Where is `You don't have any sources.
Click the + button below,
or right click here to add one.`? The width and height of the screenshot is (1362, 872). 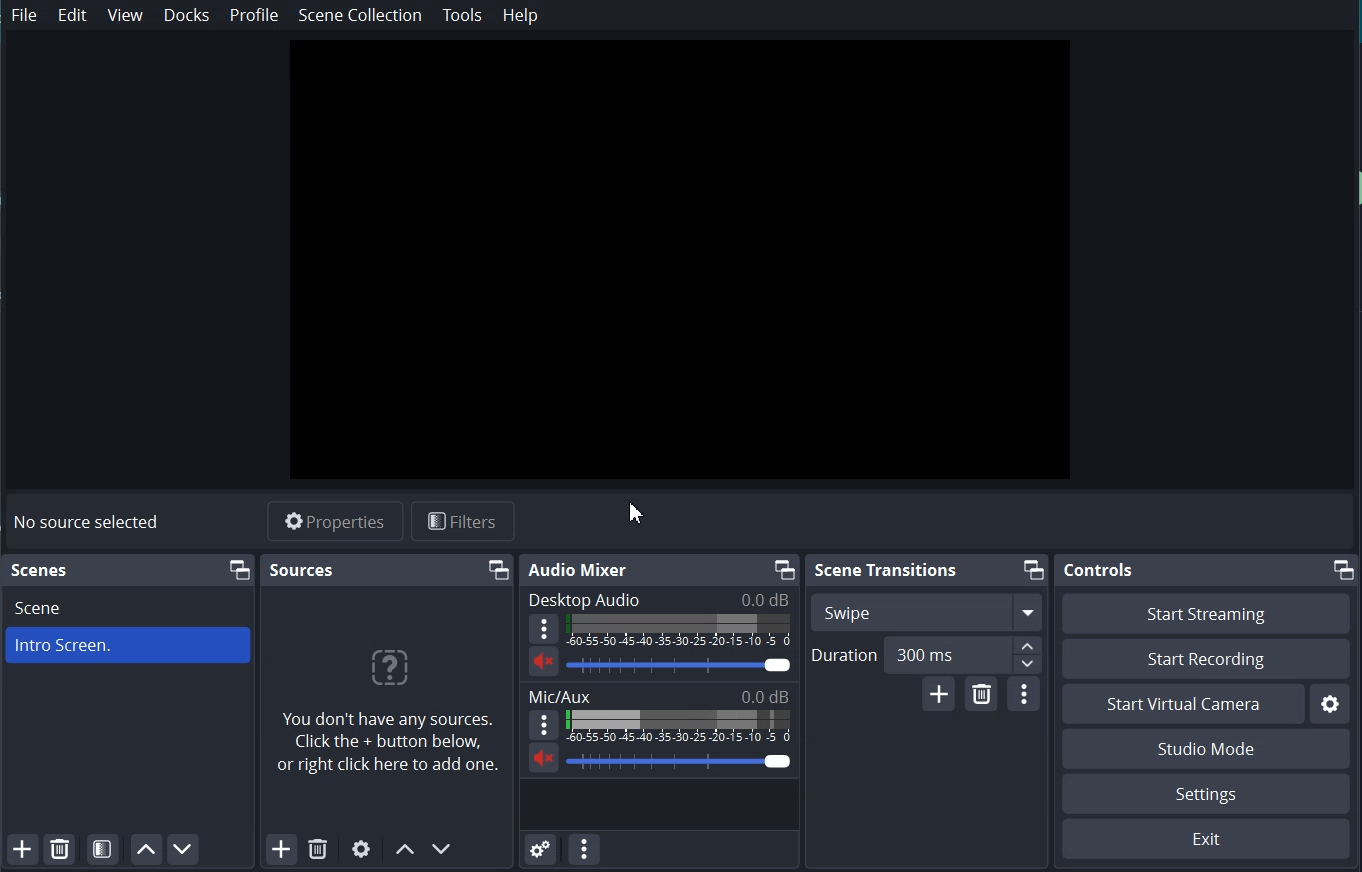 You don't have any sources.
Click the + button below,
or right click here to add one. is located at coordinates (390, 748).